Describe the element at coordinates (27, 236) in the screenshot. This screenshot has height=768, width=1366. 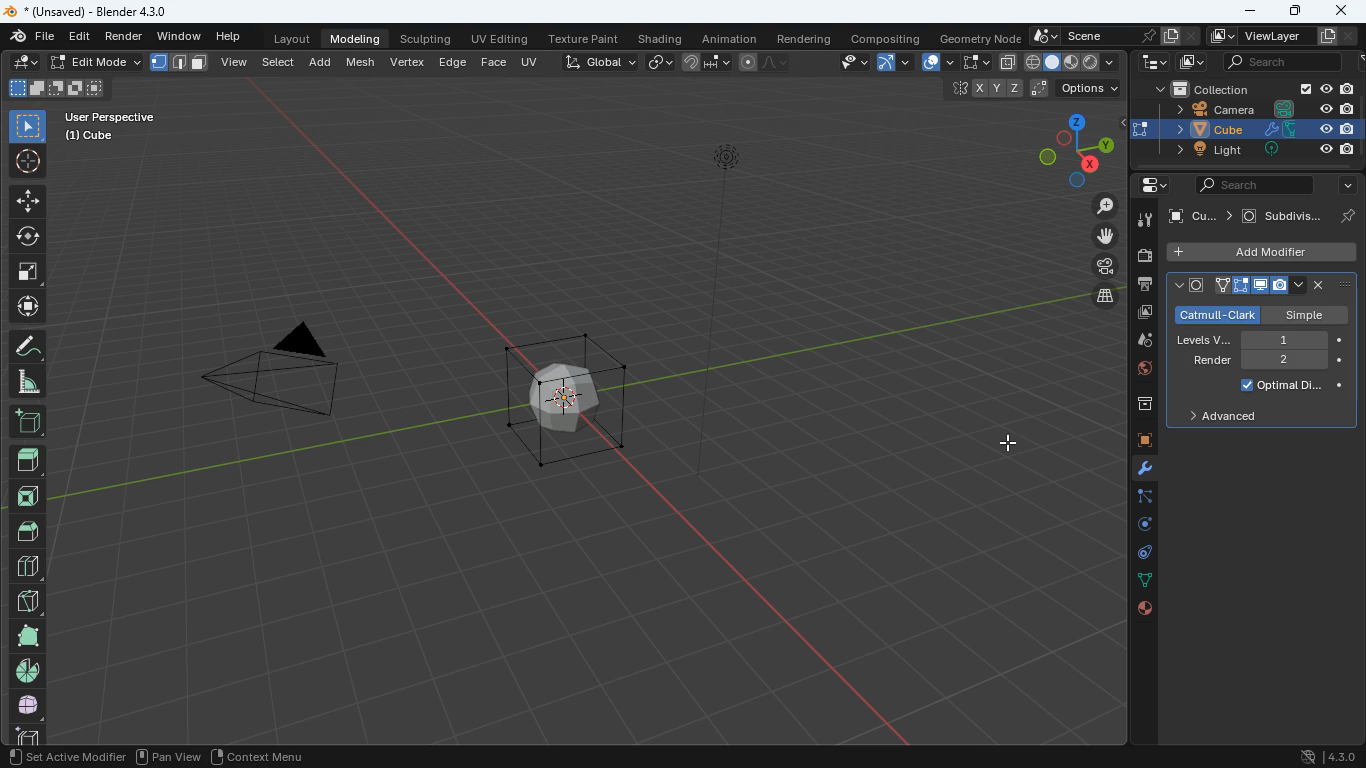
I see `rotate` at that location.